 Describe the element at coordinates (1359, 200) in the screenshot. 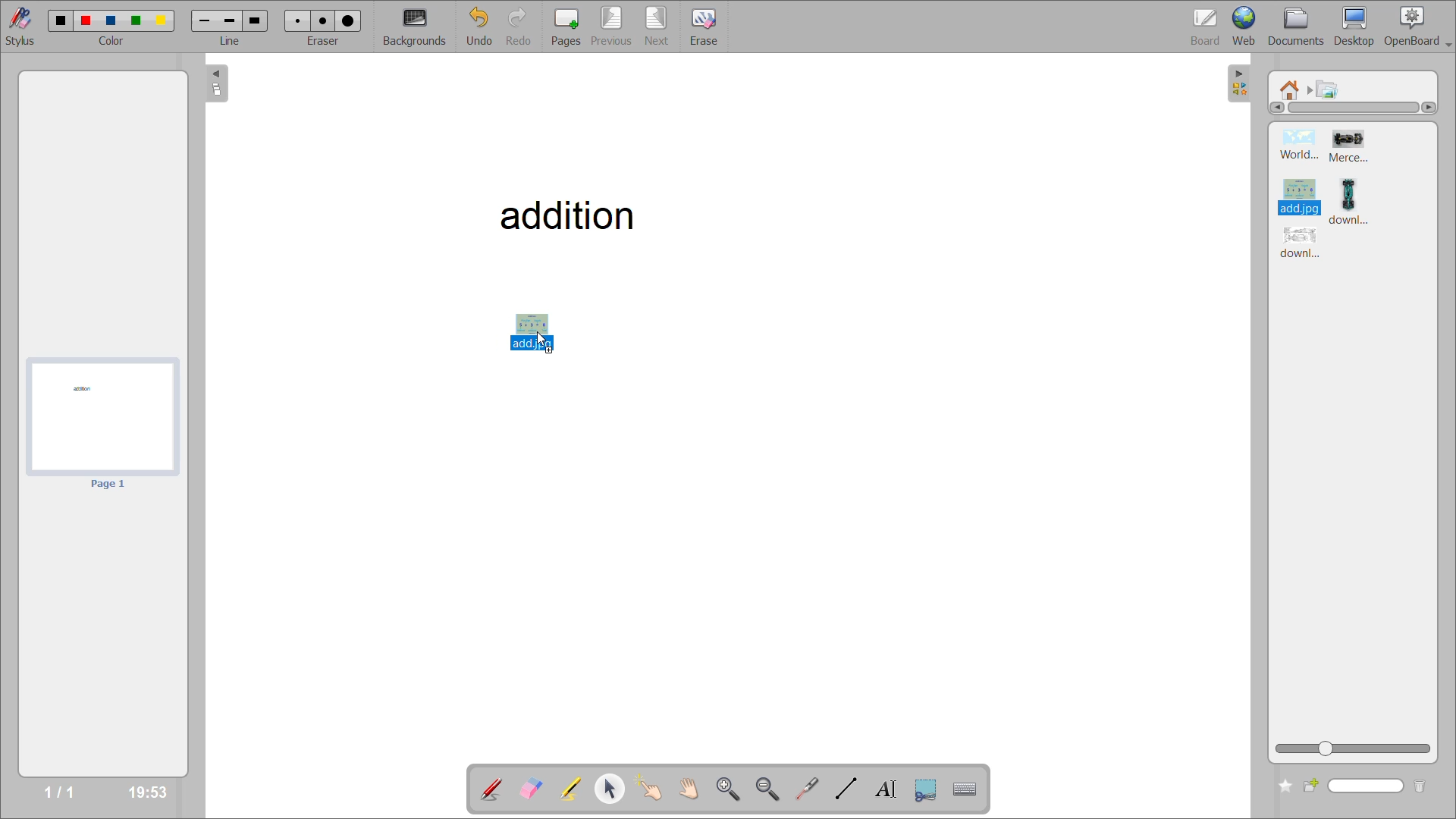

I see `image 4` at that location.